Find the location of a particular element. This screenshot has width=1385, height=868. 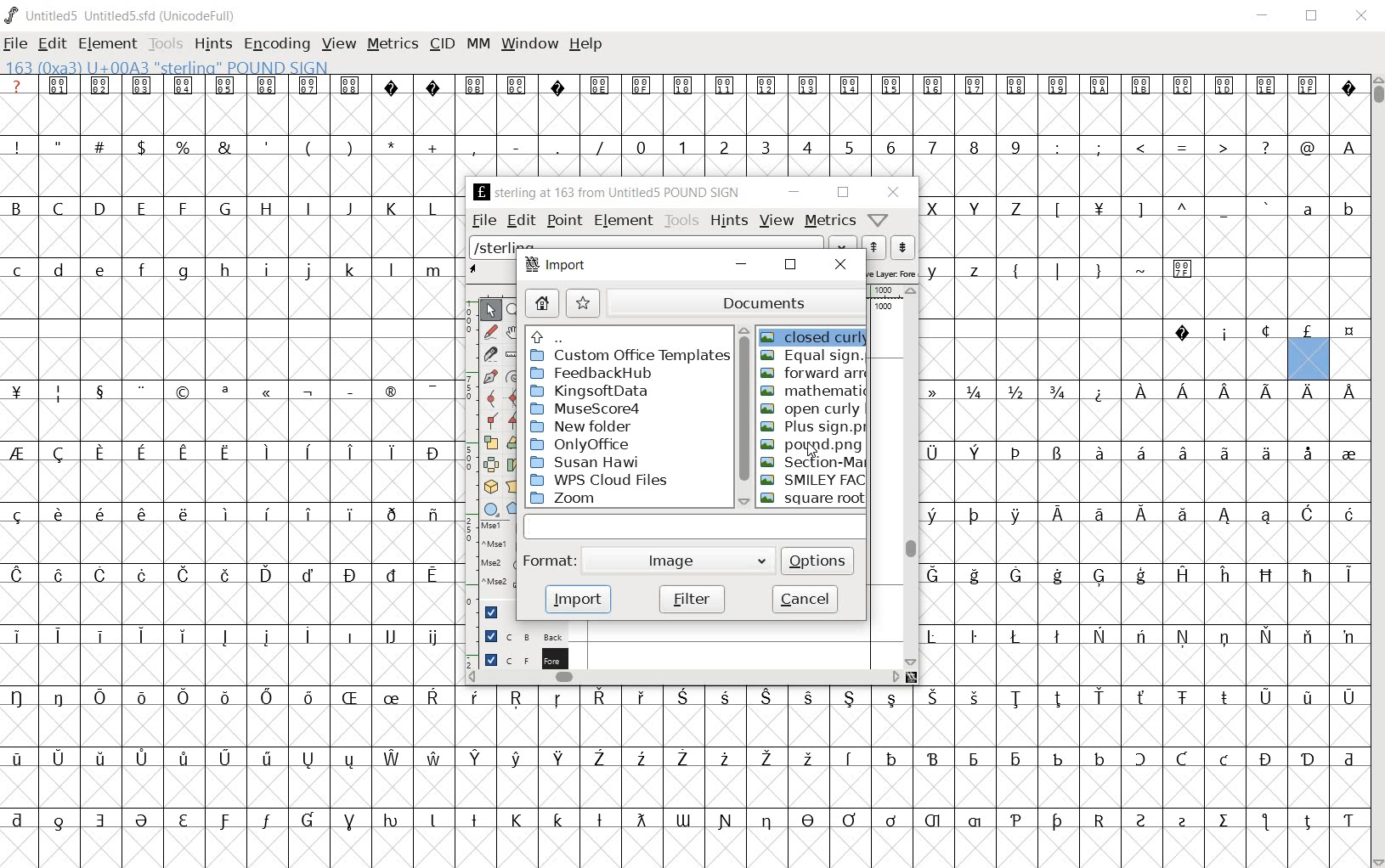

Symbol is located at coordinates (1183, 821).